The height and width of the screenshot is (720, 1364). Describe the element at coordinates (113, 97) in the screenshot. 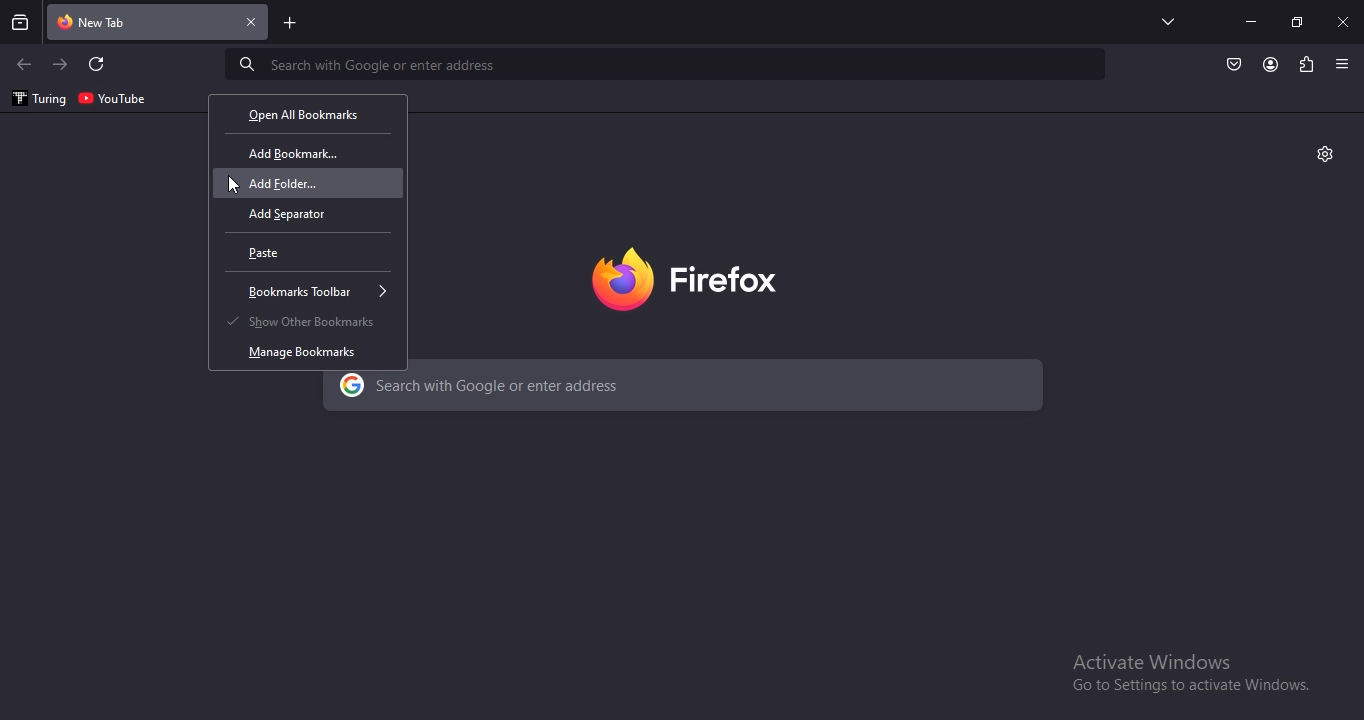

I see `youtube` at that location.